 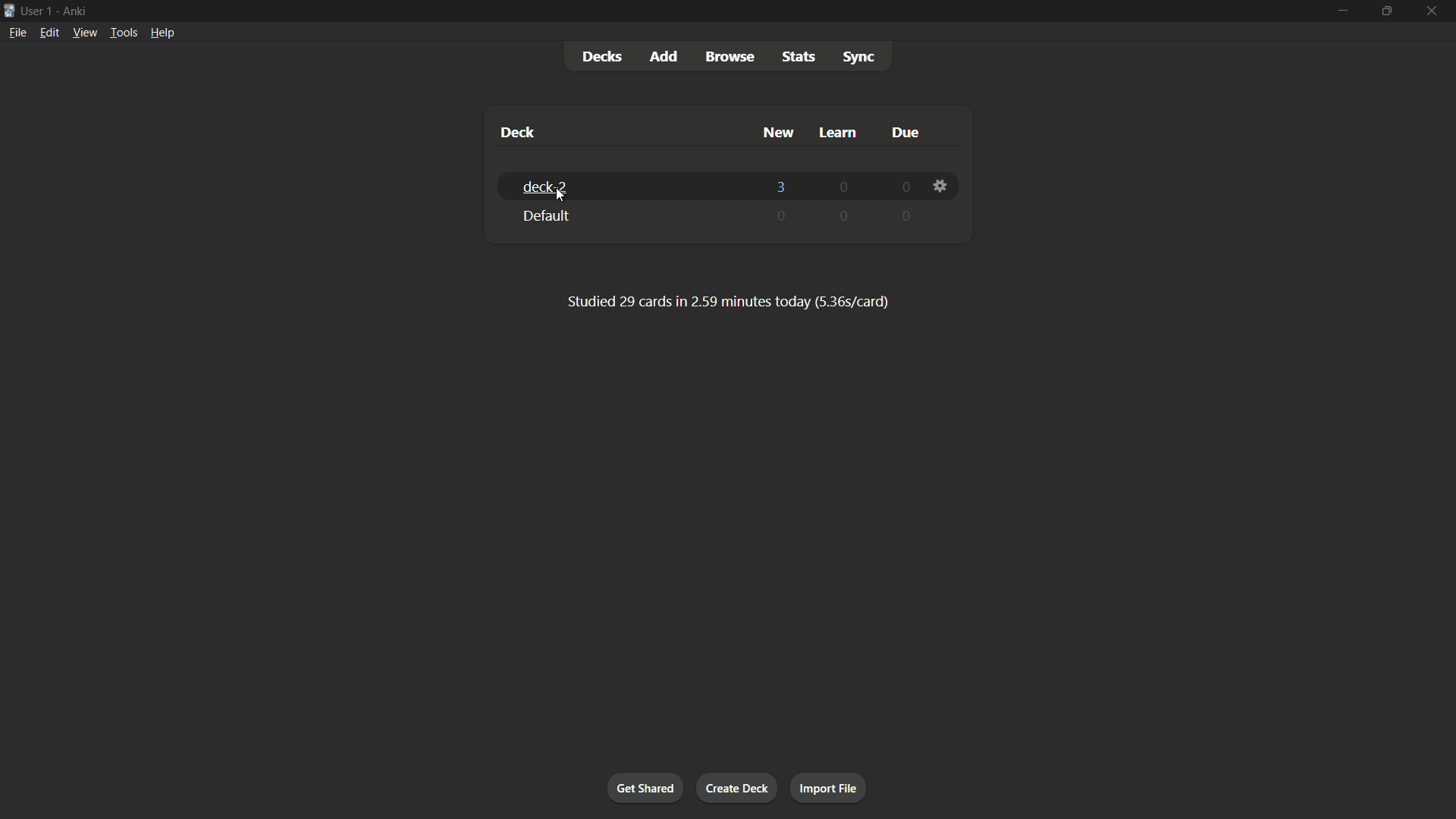 What do you see at coordinates (904, 187) in the screenshot?
I see `0` at bounding box center [904, 187].